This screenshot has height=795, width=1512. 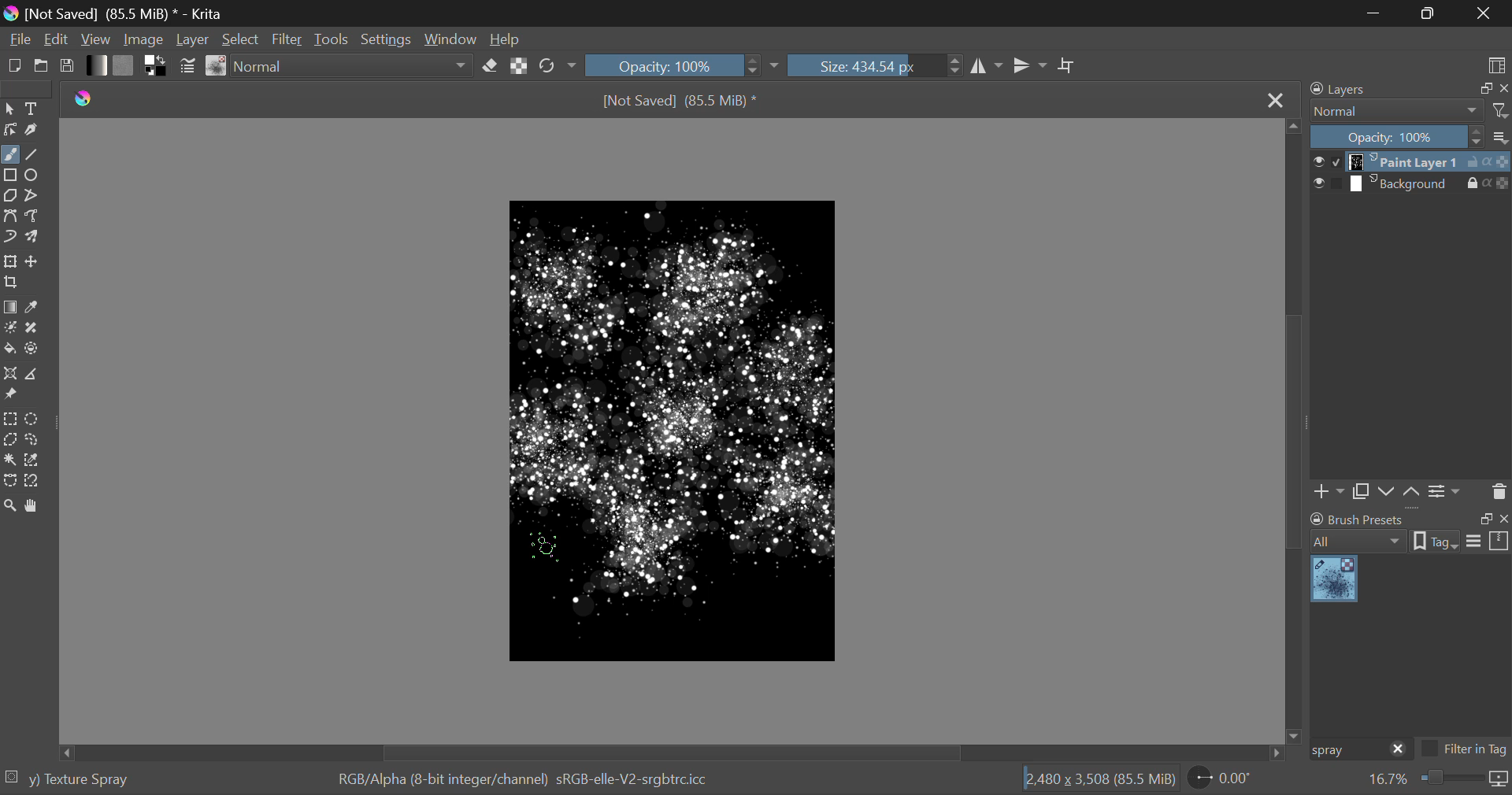 I want to click on Opacity, so click(x=684, y=65).